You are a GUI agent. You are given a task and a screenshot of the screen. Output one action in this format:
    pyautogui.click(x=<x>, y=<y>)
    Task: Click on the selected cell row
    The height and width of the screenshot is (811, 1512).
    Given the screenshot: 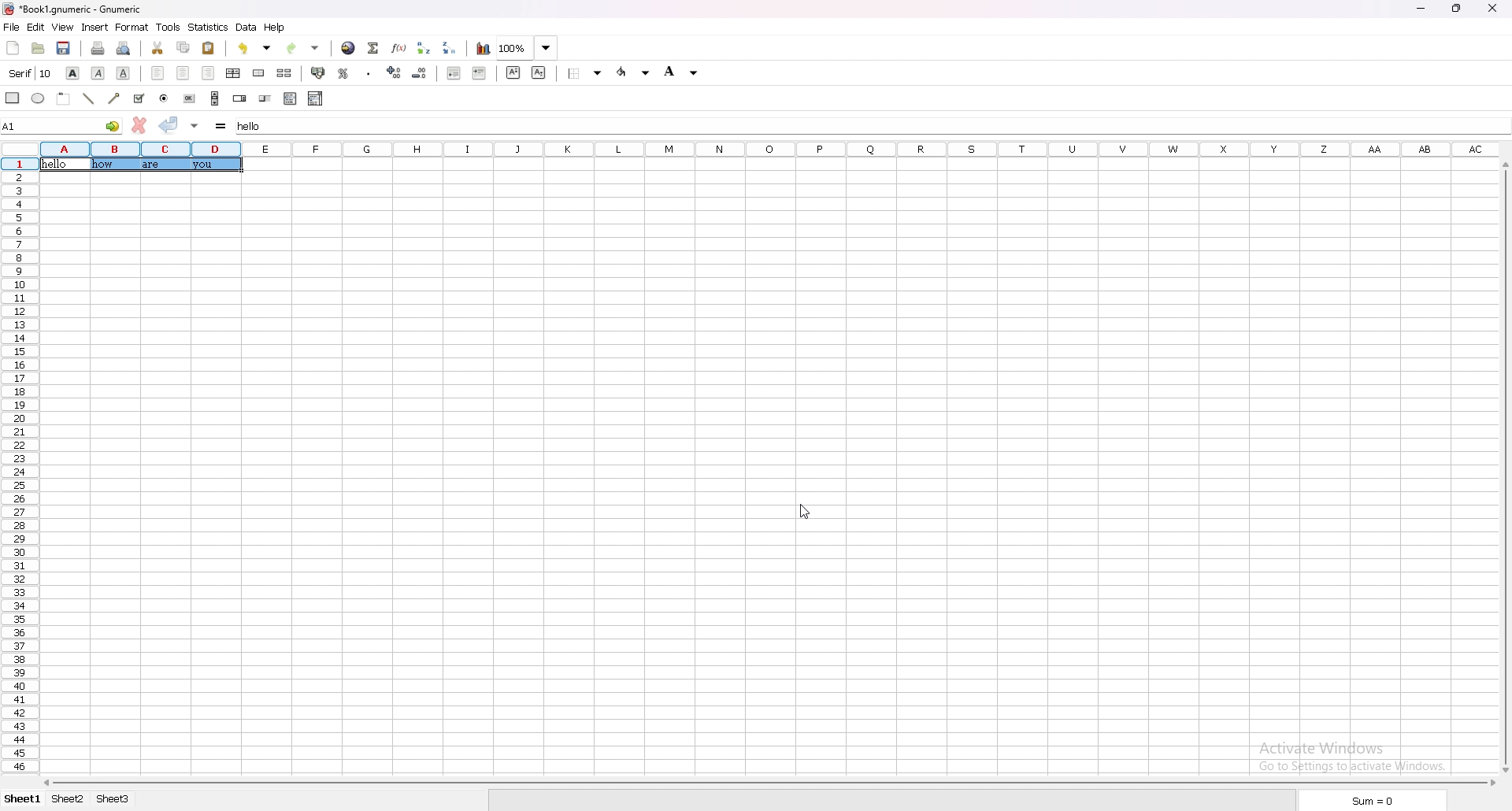 What is the action you would take?
    pyautogui.click(x=19, y=164)
    